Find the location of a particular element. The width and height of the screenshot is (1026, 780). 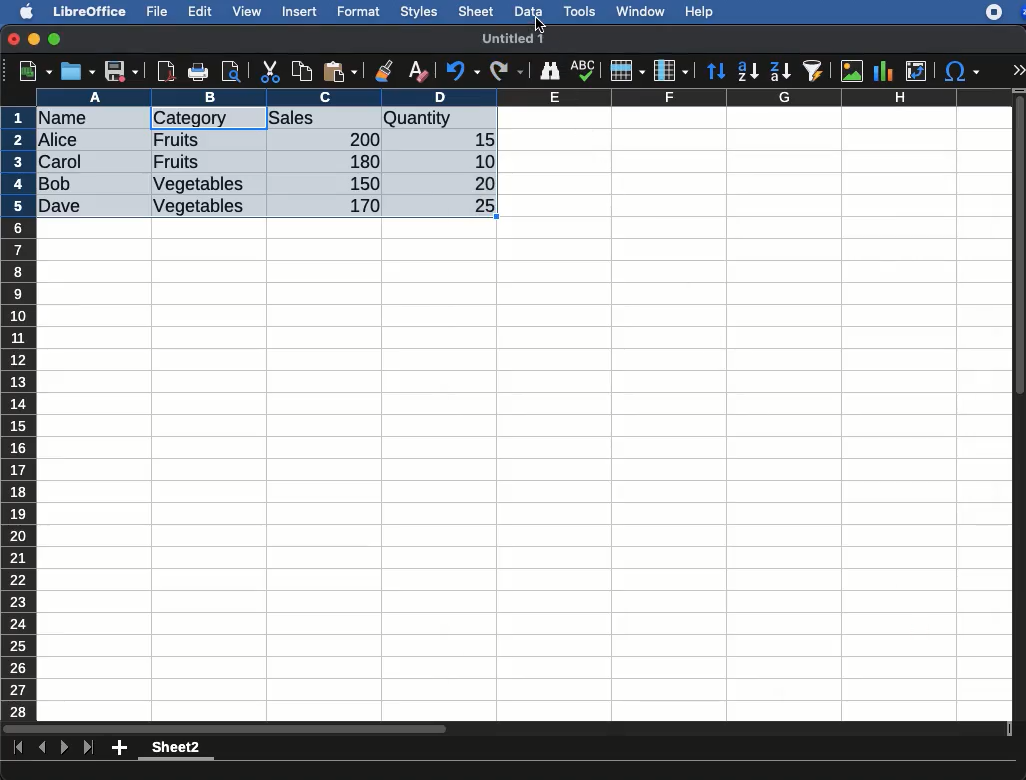

print preview is located at coordinates (231, 73).